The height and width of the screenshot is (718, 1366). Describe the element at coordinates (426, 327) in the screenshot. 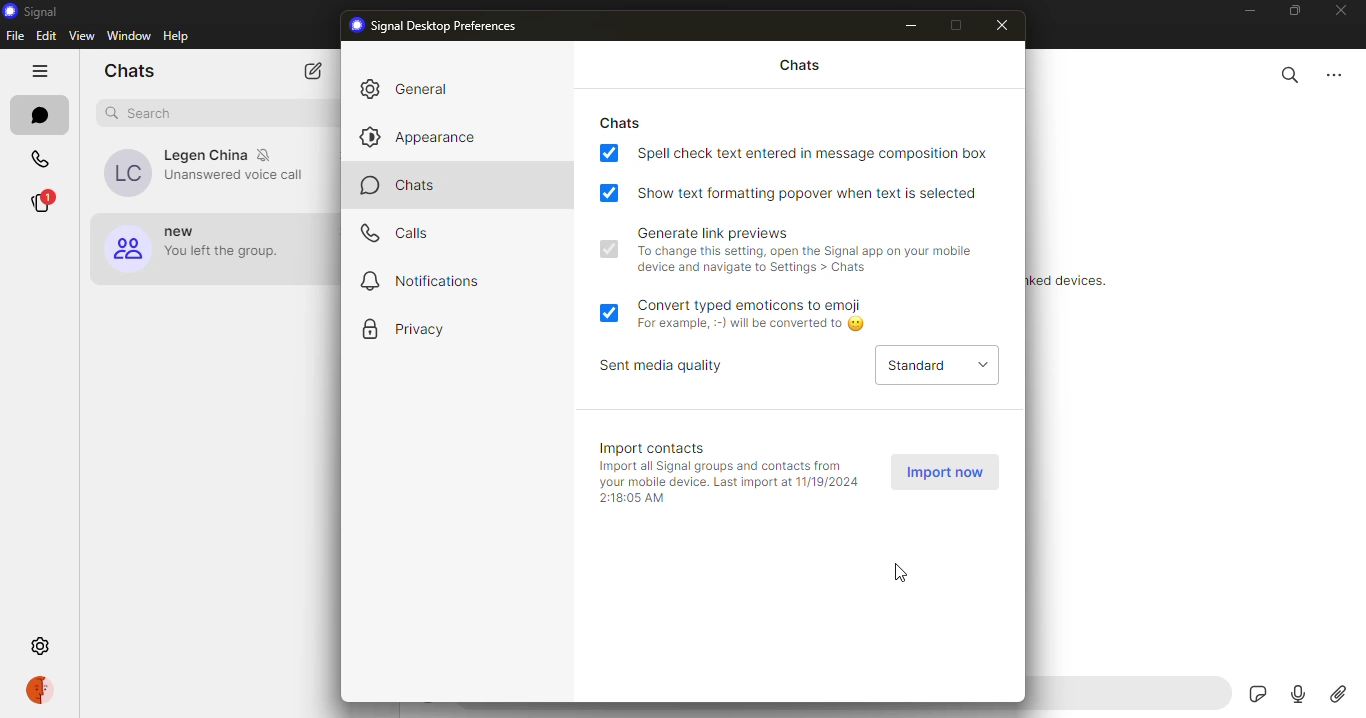

I see `privacy` at that location.